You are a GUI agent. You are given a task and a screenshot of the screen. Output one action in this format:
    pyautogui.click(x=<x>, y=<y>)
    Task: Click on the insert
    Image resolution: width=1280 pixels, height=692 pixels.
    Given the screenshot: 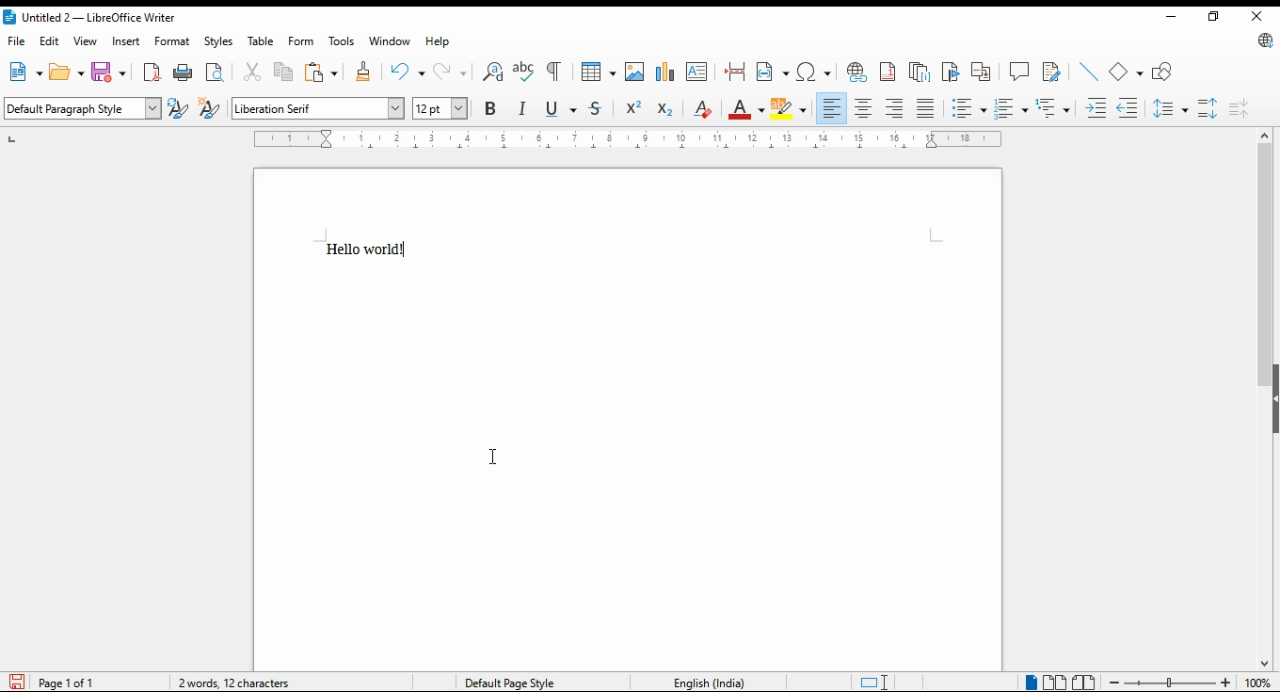 What is the action you would take?
    pyautogui.click(x=128, y=42)
    